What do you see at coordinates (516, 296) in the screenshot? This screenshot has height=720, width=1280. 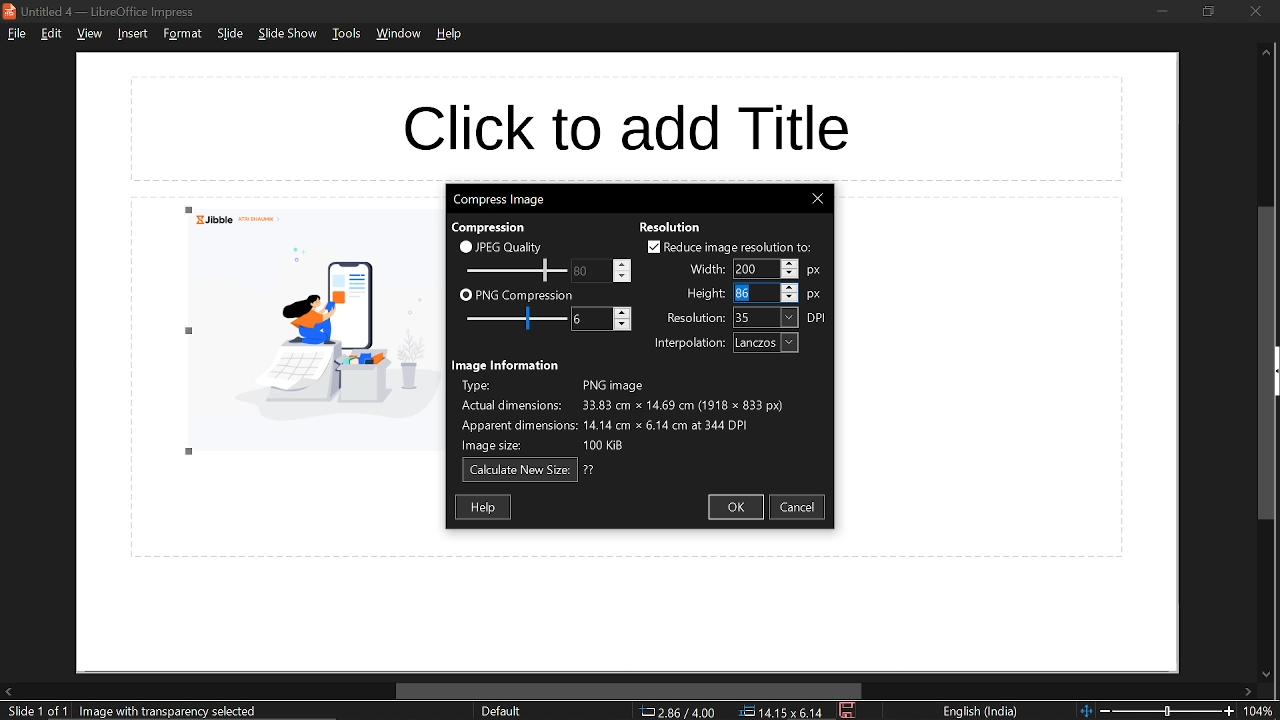 I see `PNG compression` at bounding box center [516, 296].